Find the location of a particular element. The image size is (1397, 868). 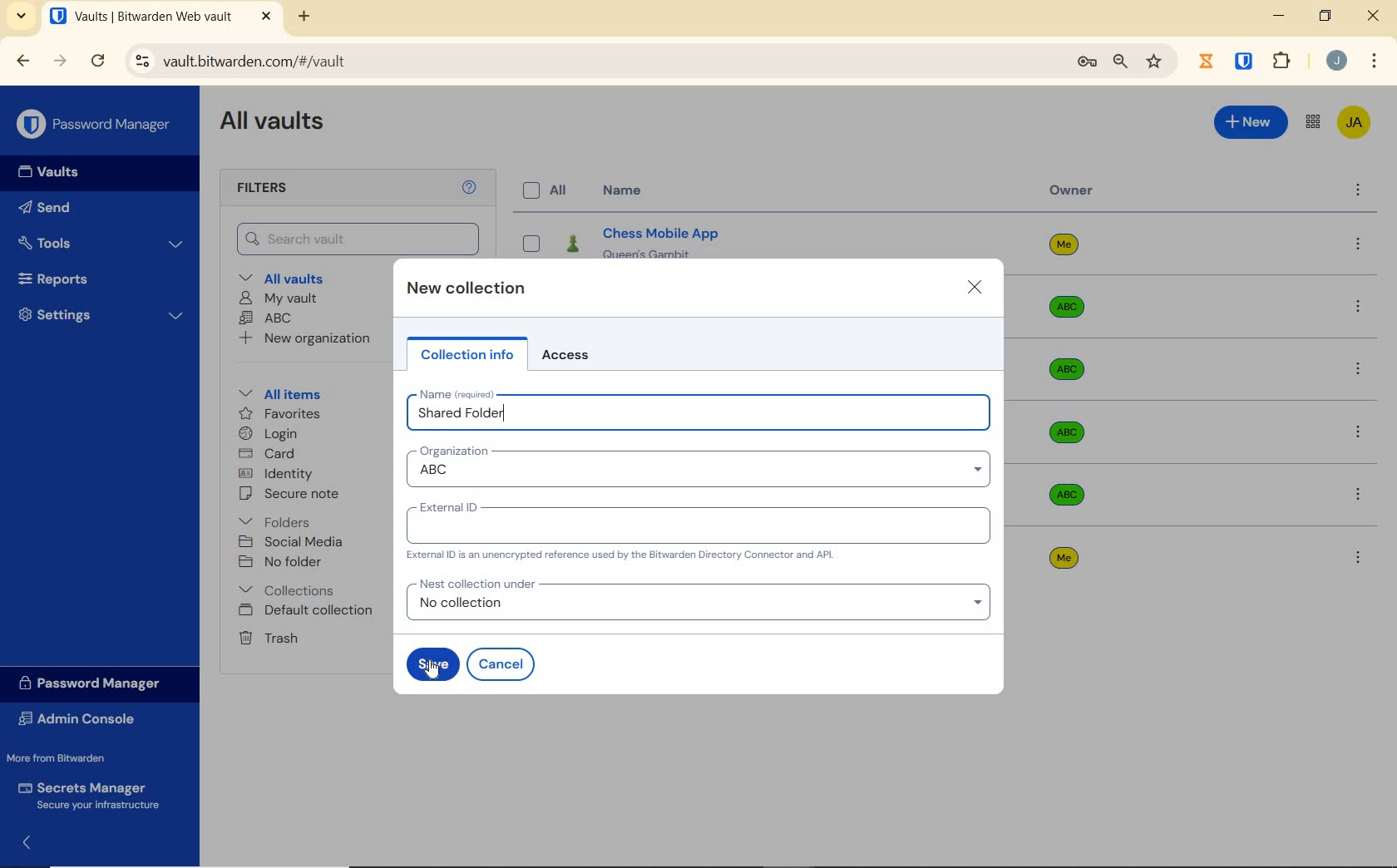

search tabs is located at coordinates (21, 16).